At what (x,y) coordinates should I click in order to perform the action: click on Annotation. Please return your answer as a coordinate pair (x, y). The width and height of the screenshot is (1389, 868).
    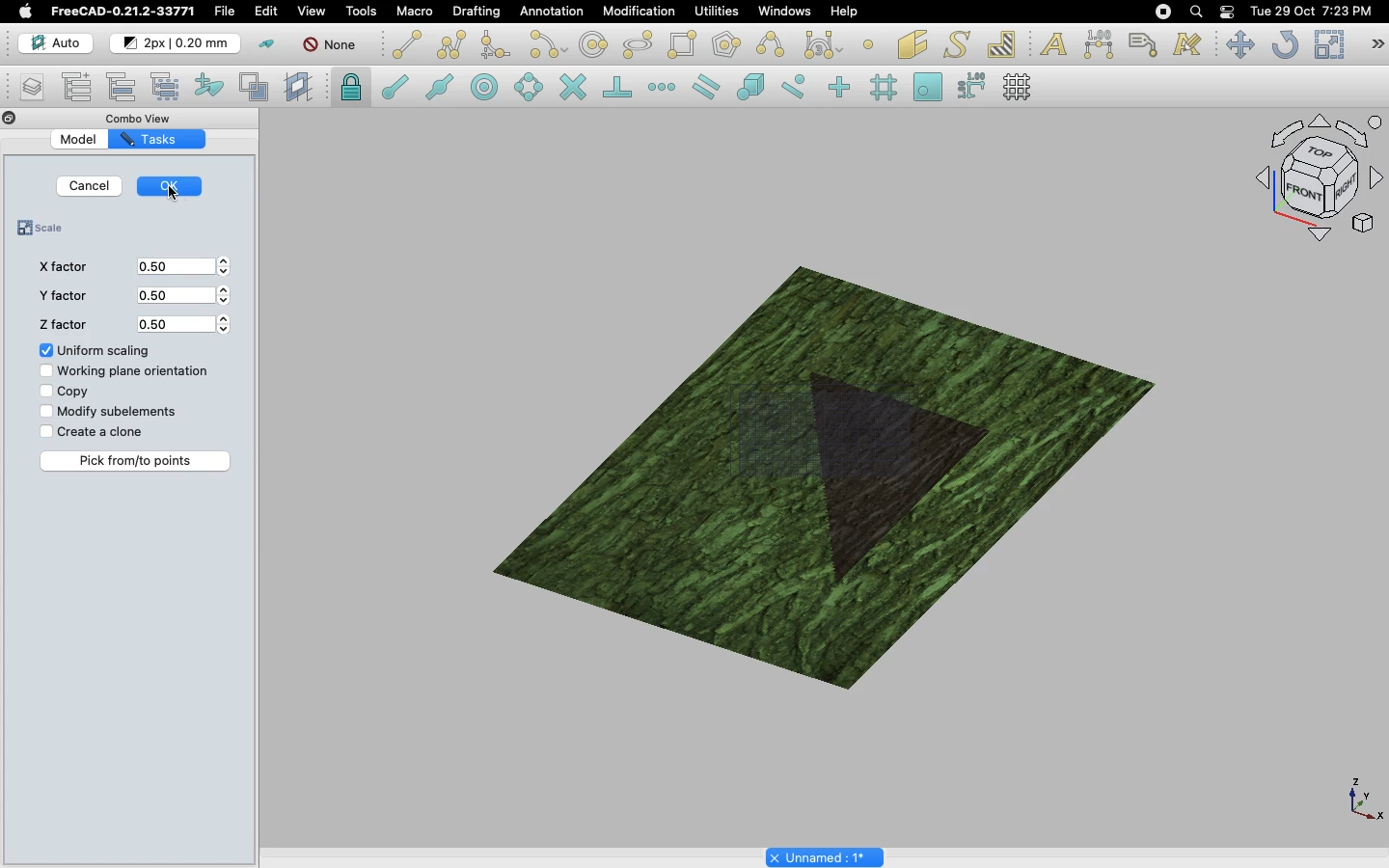
    Looking at the image, I should click on (553, 12).